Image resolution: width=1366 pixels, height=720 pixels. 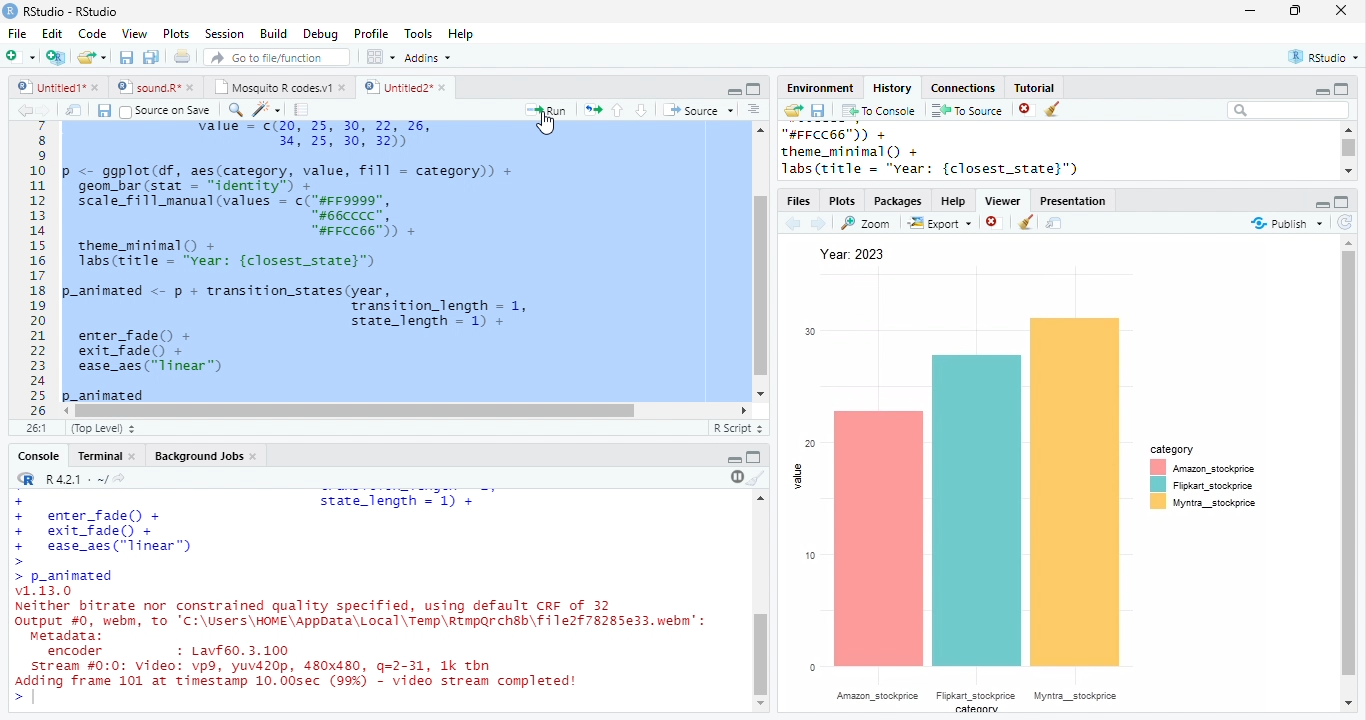 I want to click on scroll bar, so click(x=1347, y=464).